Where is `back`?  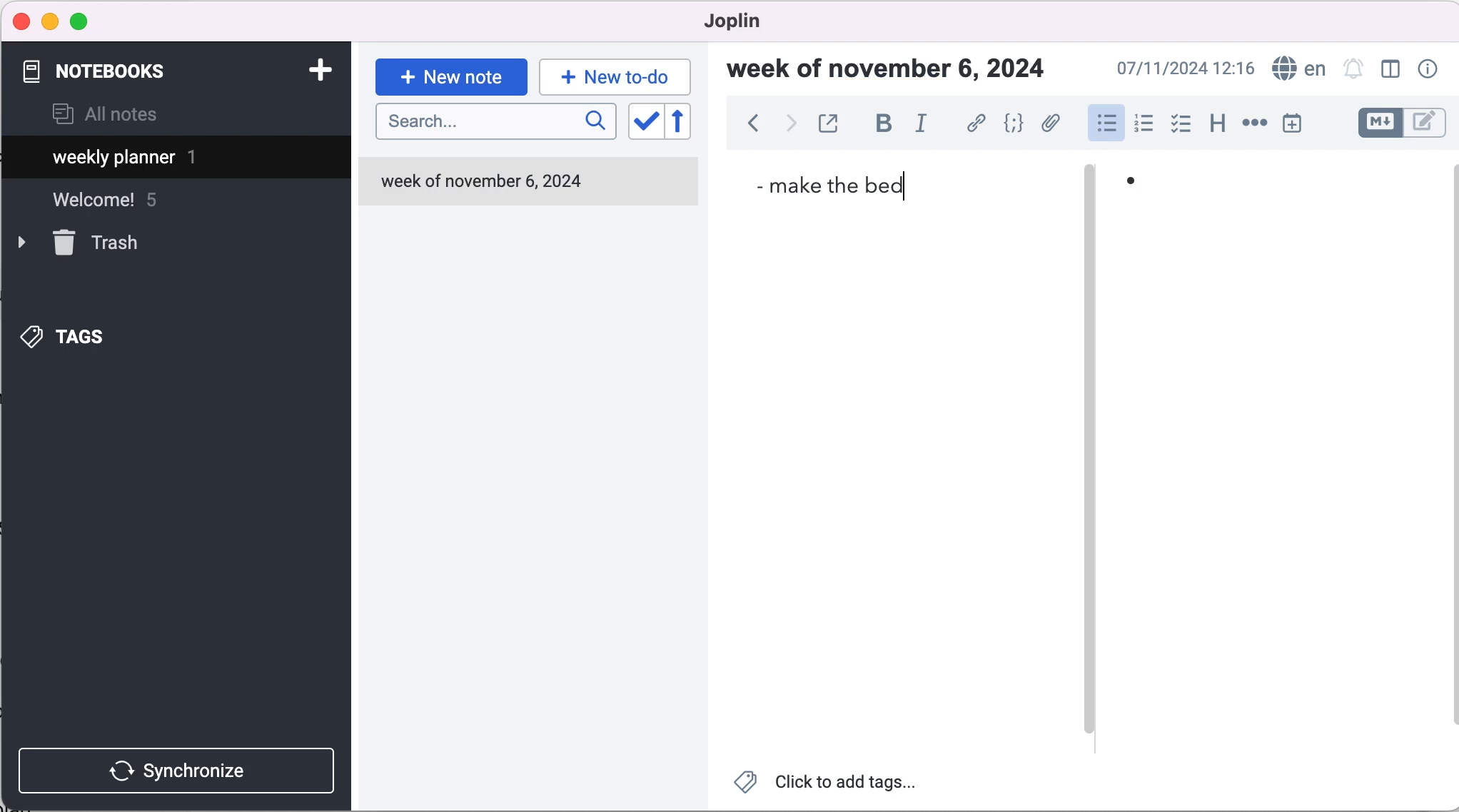
back is located at coordinates (752, 127).